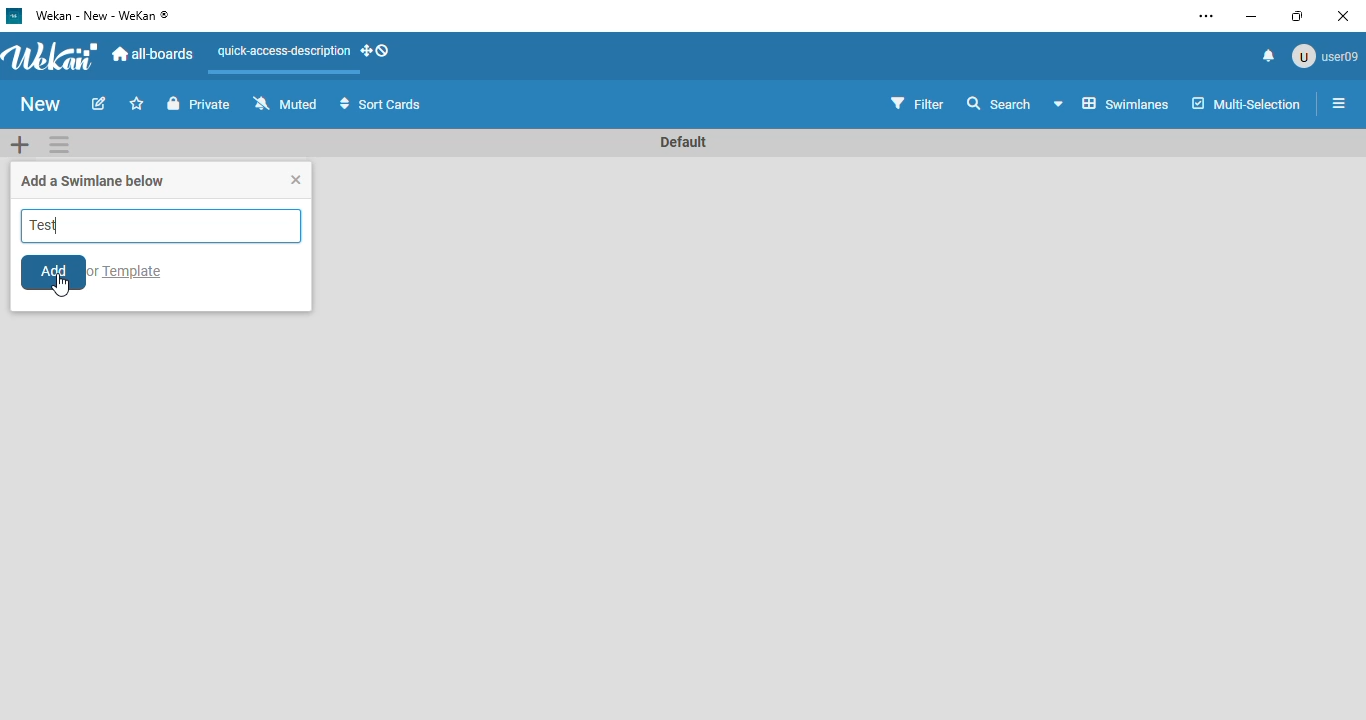  I want to click on Swimlane name - Test, so click(161, 226).